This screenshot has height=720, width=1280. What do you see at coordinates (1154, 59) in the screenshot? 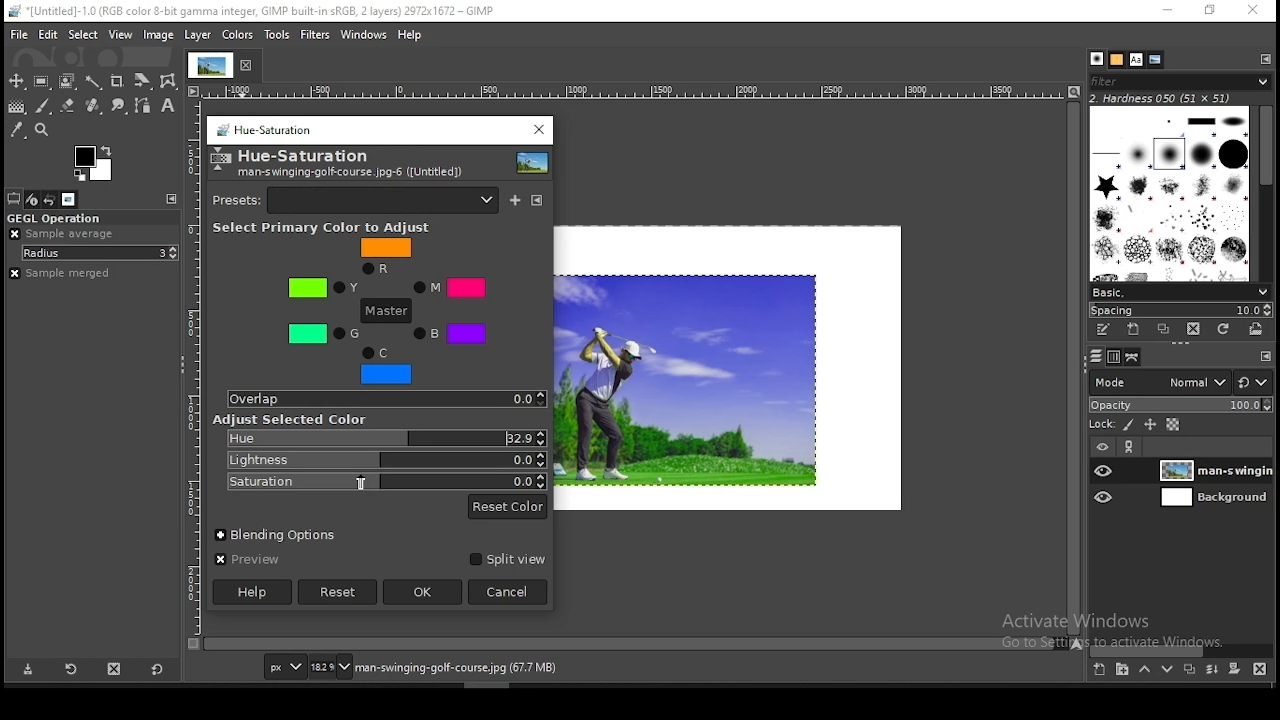
I see `document history` at bounding box center [1154, 59].